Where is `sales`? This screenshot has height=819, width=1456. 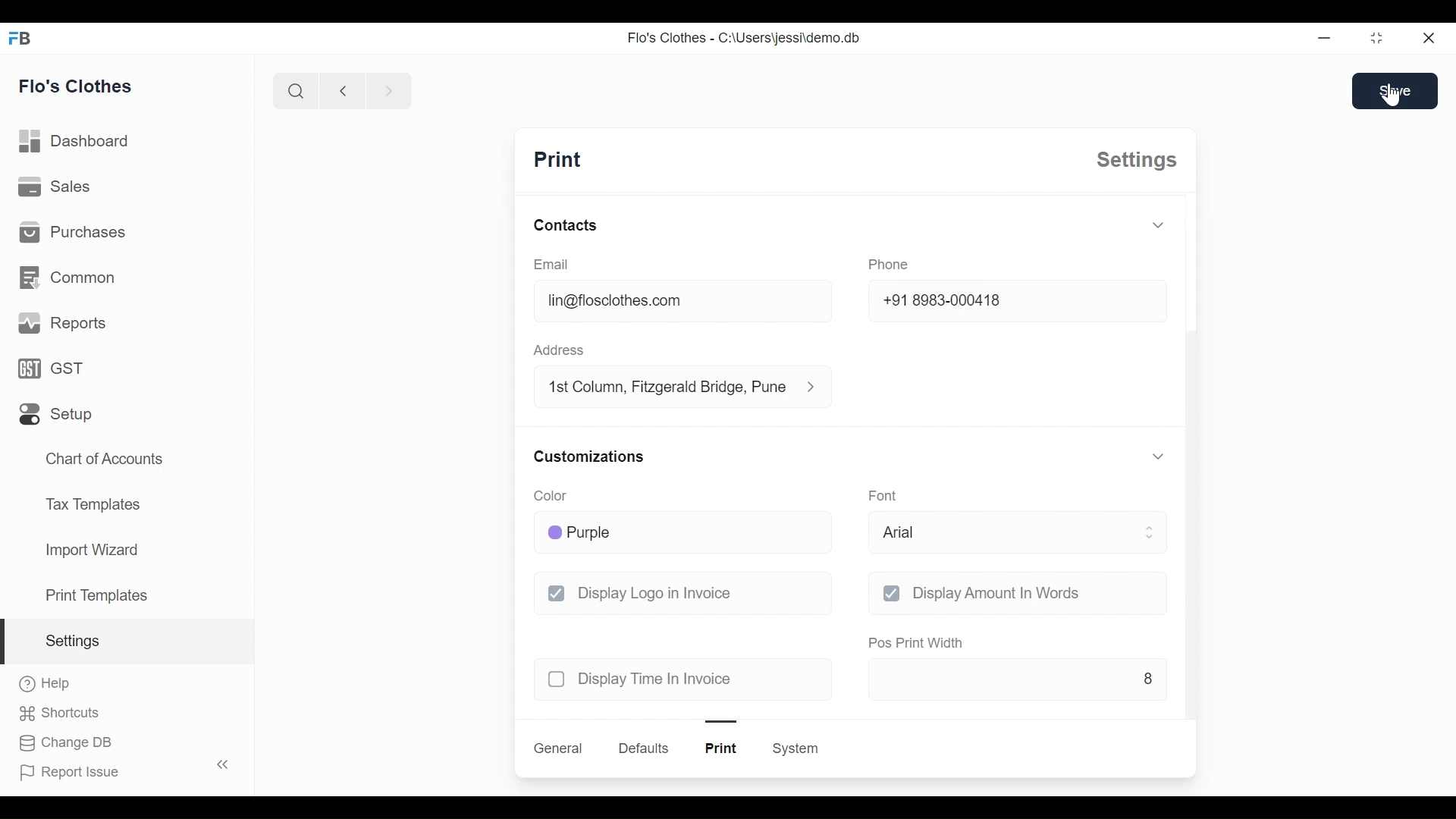
sales is located at coordinates (55, 185).